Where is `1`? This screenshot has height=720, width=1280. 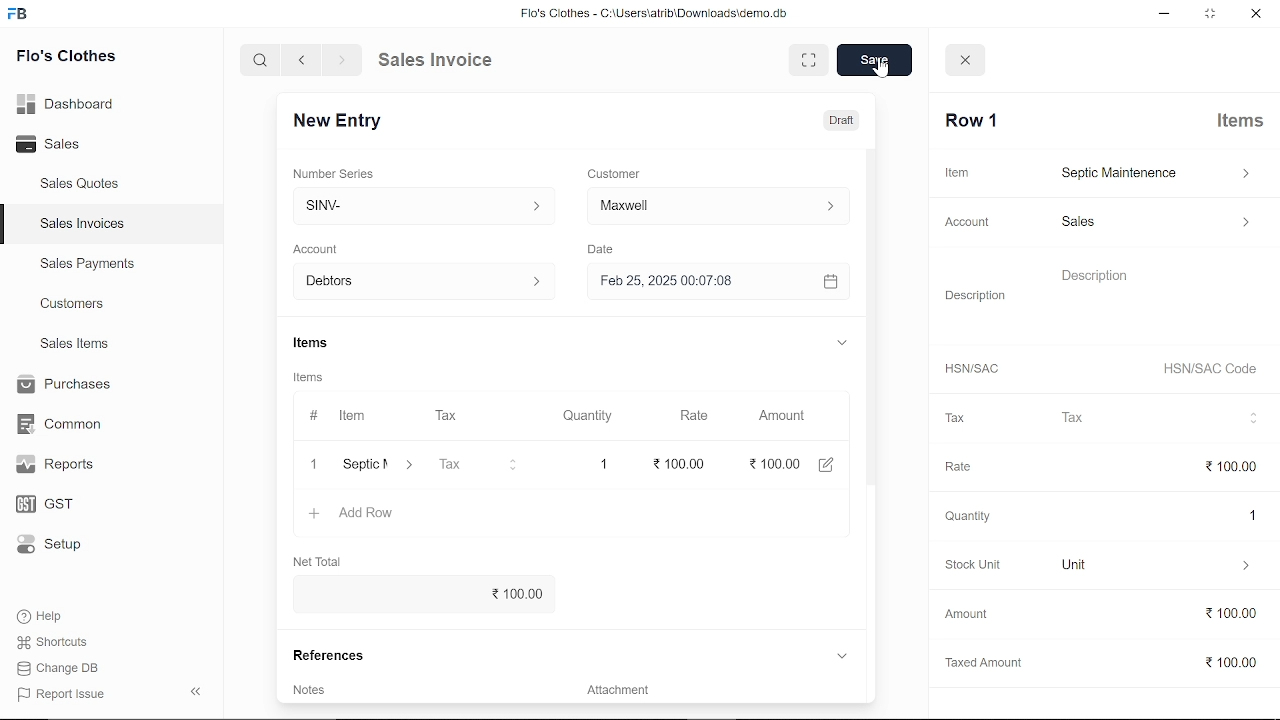
1 is located at coordinates (1243, 515).